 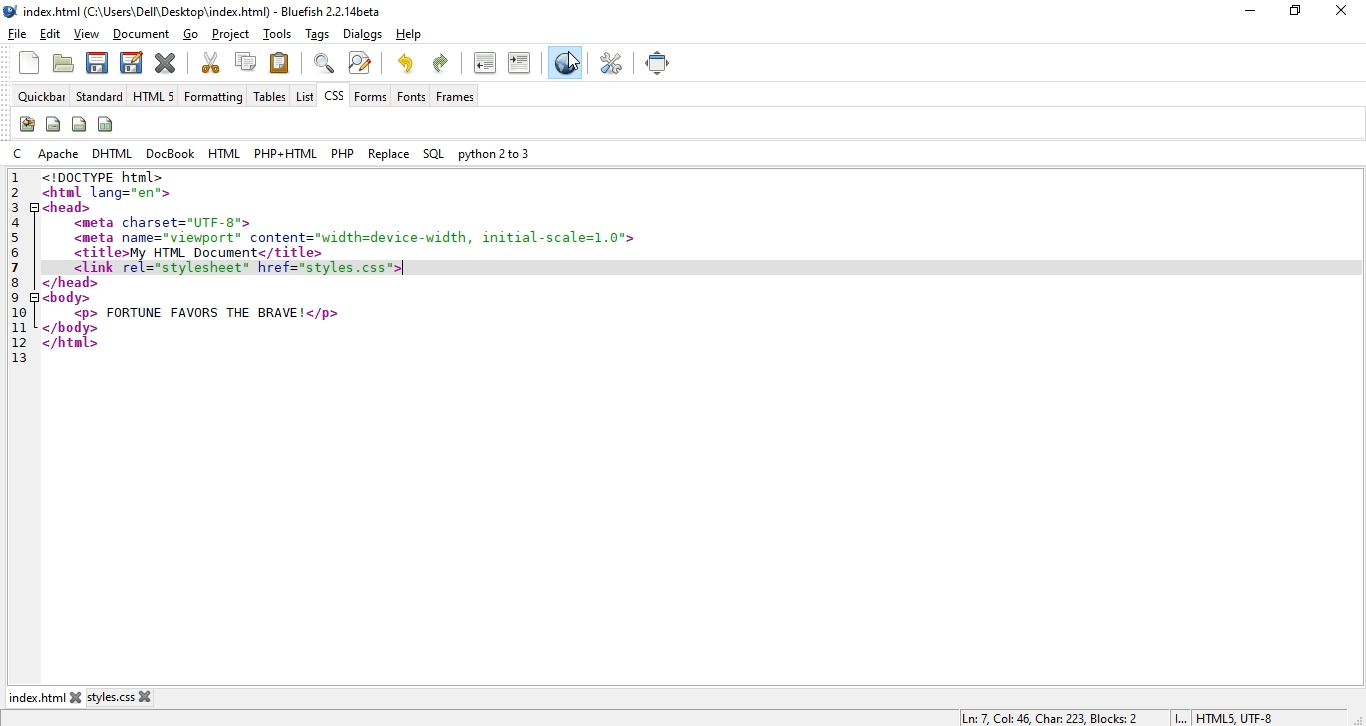 What do you see at coordinates (26, 124) in the screenshot?
I see `create stylesheet` at bounding box center [26, 124].